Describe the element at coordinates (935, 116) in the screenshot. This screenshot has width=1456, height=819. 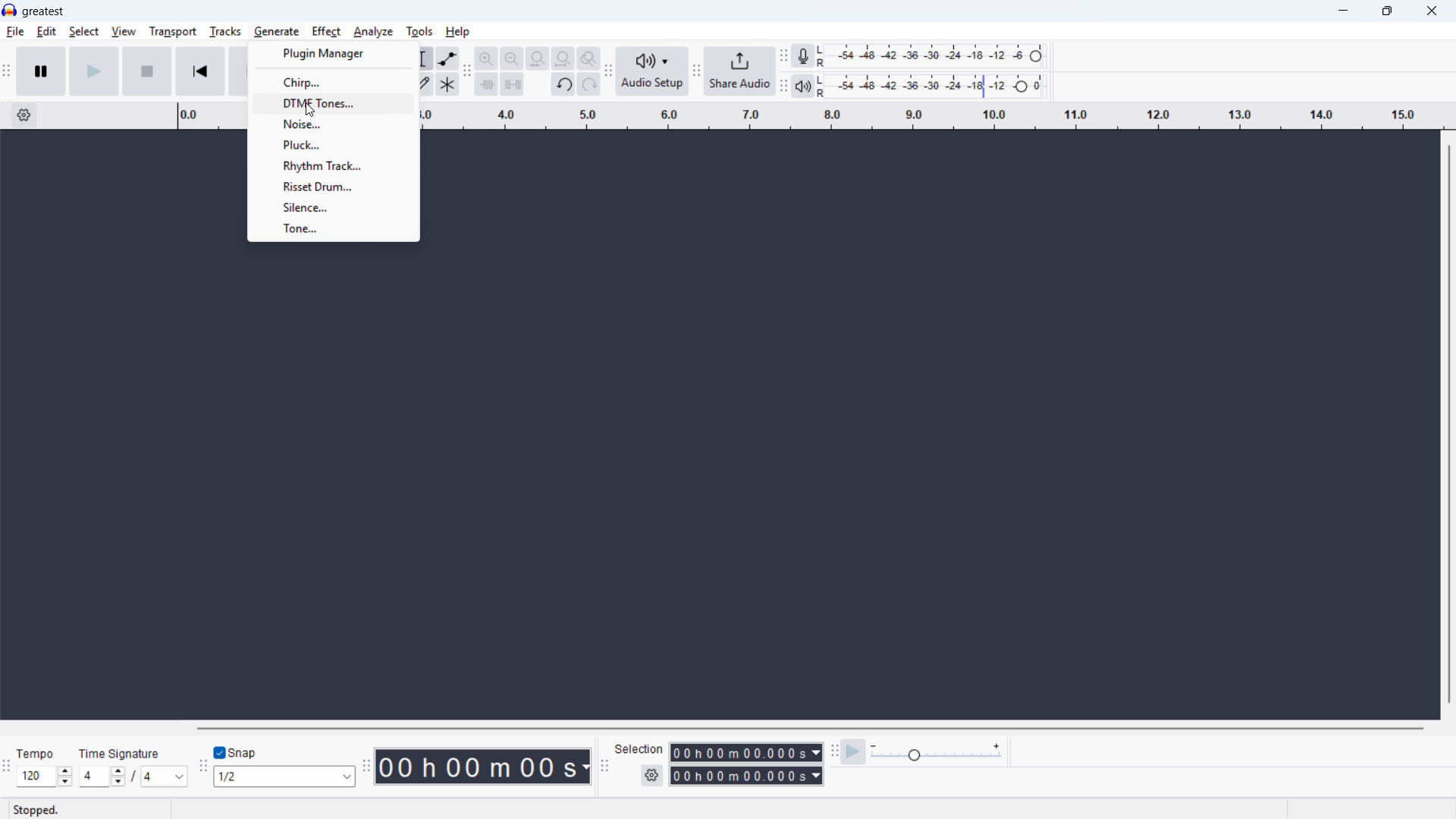
I see `timeline` at that location.